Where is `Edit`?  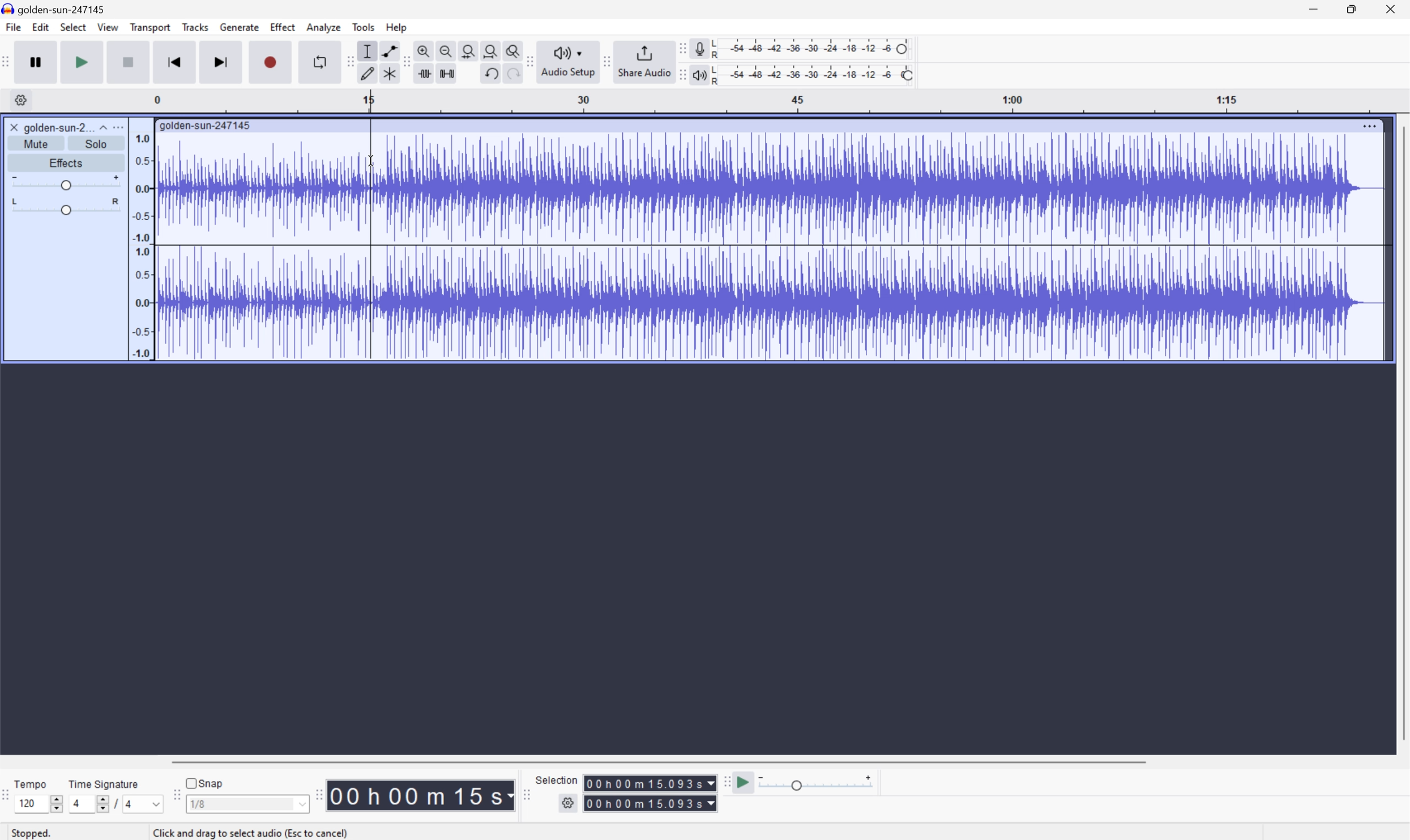
Edit is located at coordinates (41, 28).